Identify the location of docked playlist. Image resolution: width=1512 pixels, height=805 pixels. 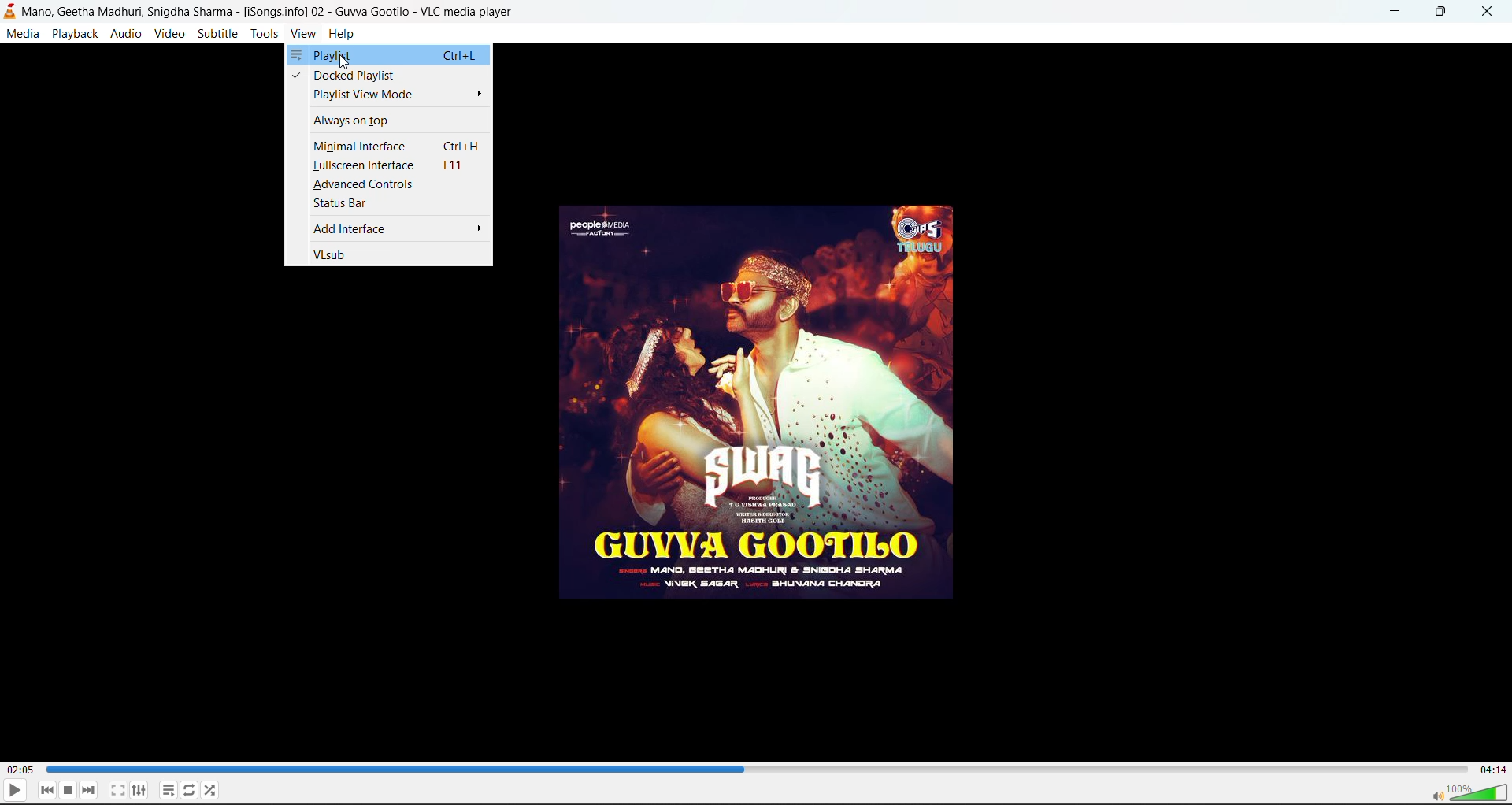
(390, 76).